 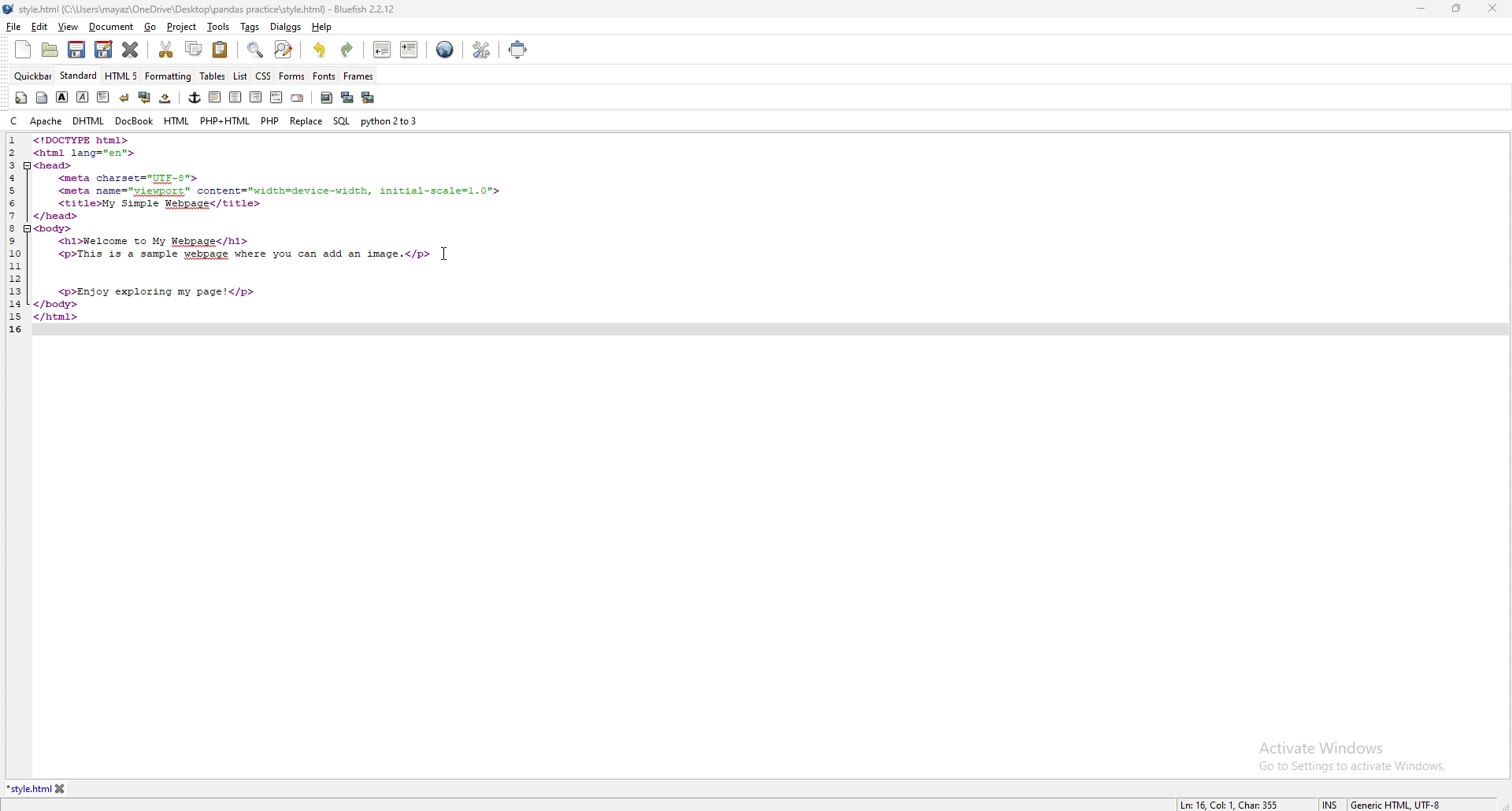 I want to click on edit preferences, so click(x=481, y=50).